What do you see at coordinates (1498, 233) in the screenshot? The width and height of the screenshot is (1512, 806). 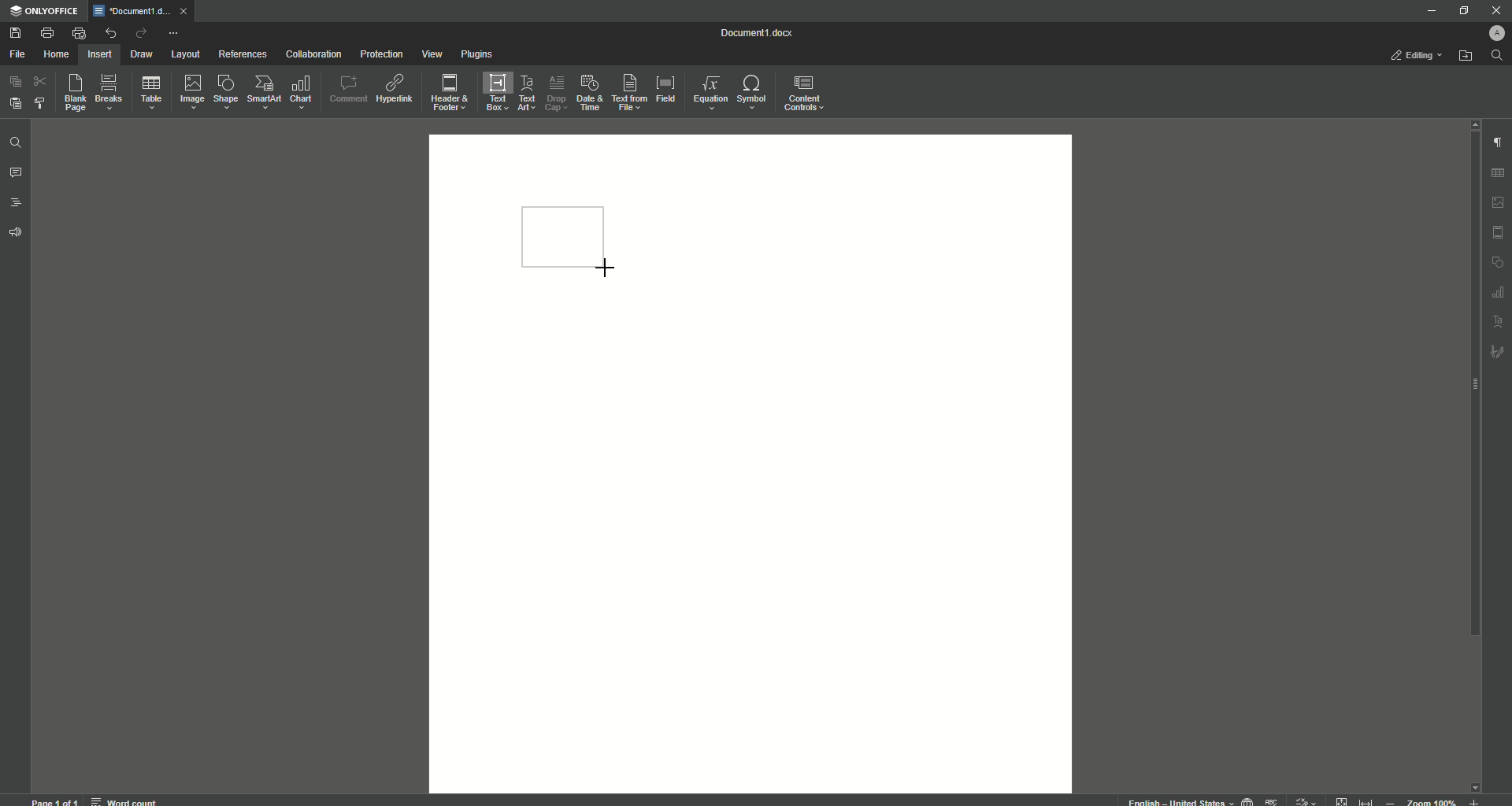 I see `HEADER & FOOTER` at bounding box center [1498, 233].